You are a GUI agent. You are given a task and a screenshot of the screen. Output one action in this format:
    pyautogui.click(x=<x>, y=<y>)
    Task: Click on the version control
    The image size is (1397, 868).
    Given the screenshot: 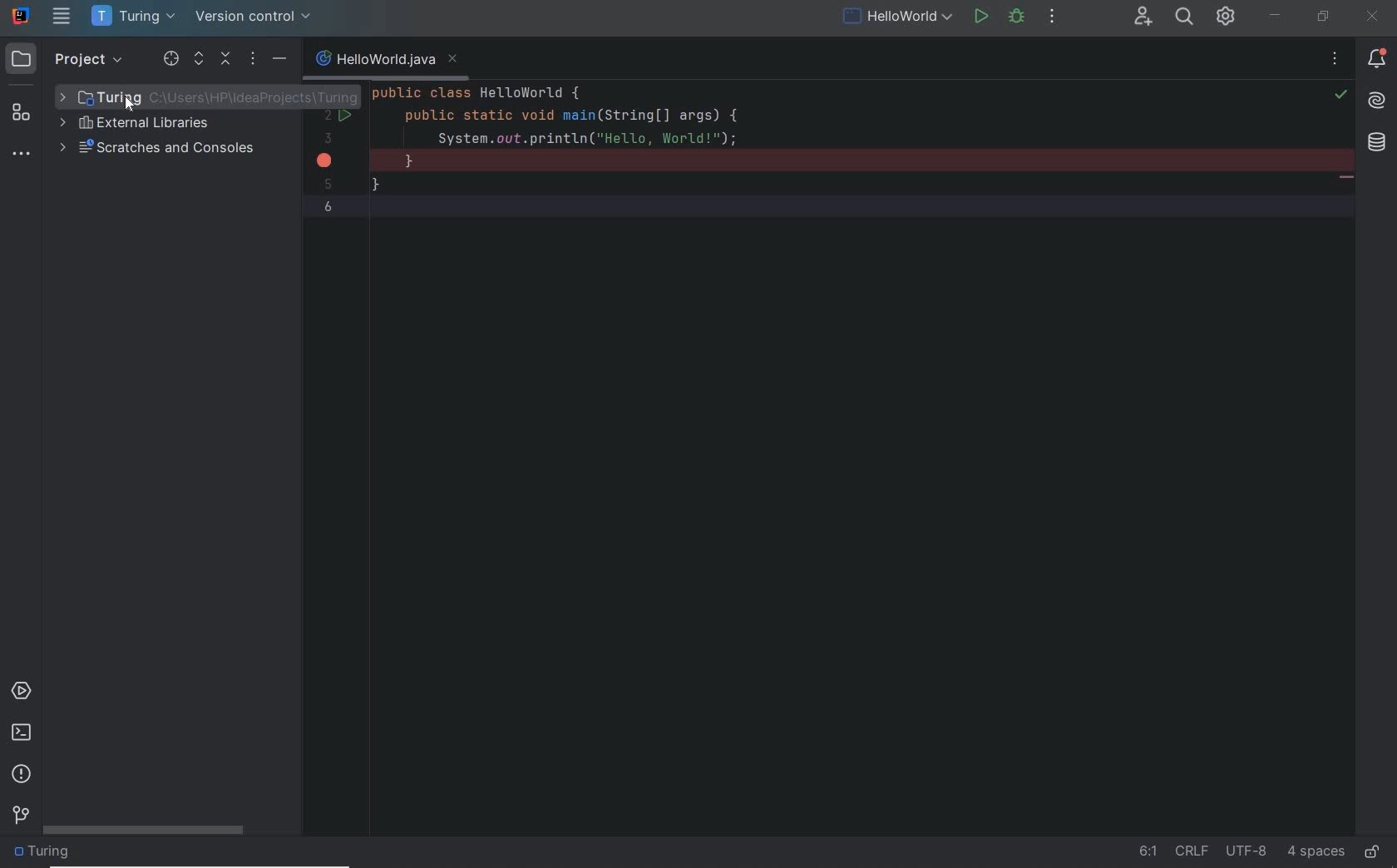 What is the action you would take?
    pyautogui.click(x=255, y=18)
    